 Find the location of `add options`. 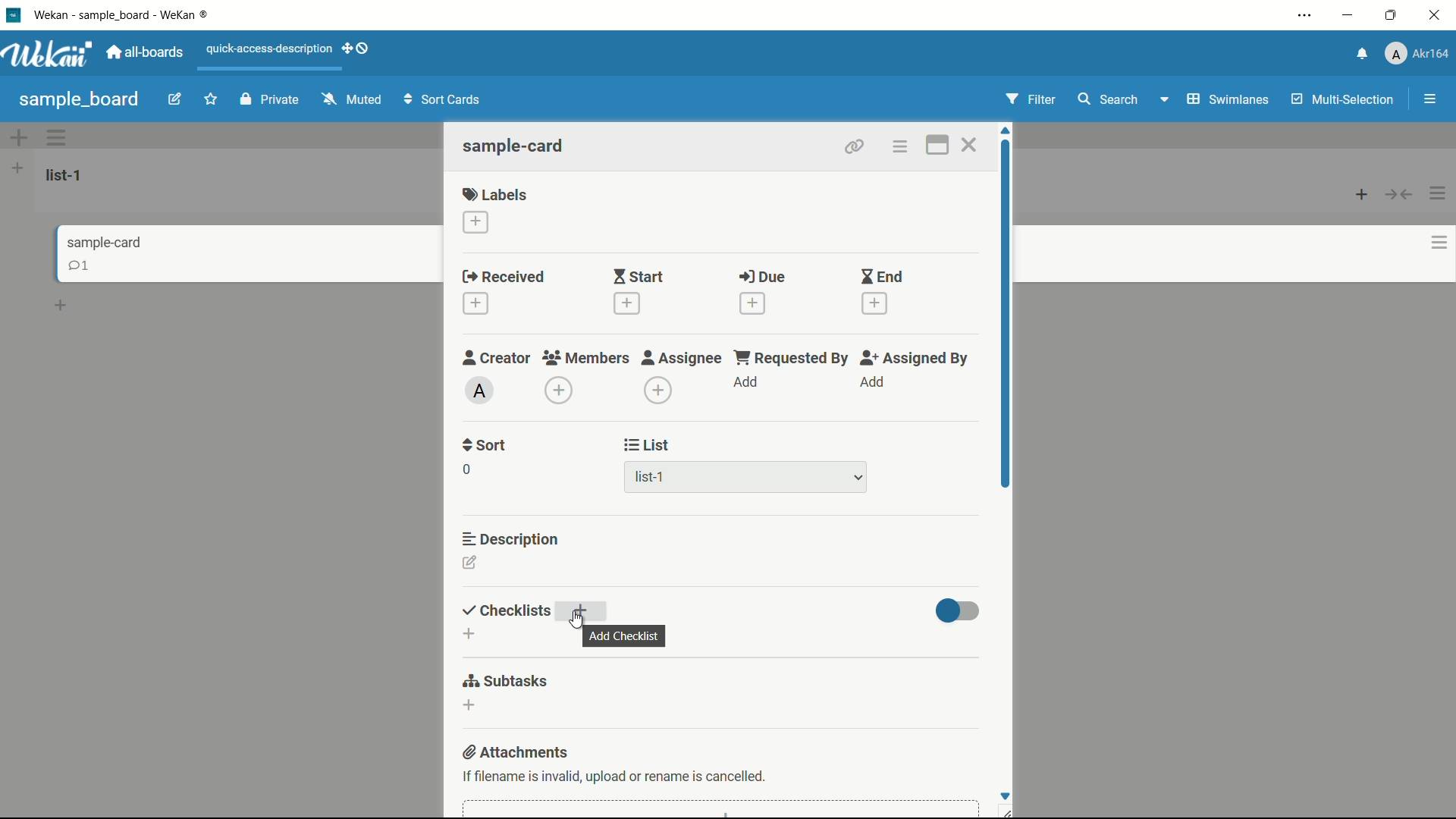

add options is located at coordinates (16, 136).